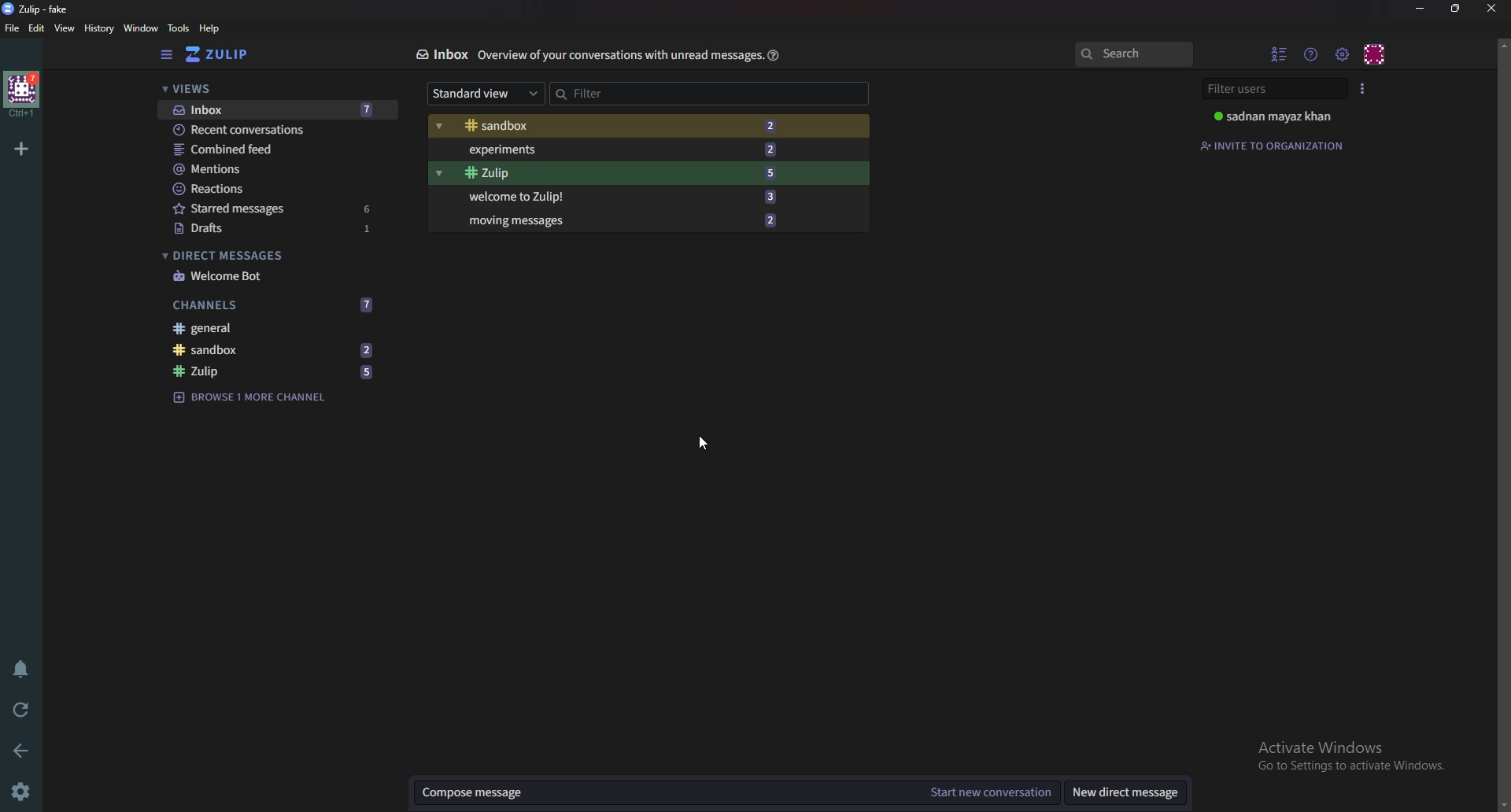 The image size is (1511, 812). Describe the element at coordinates (22, 149) in the screenshot. I see `Add organization` at that location.